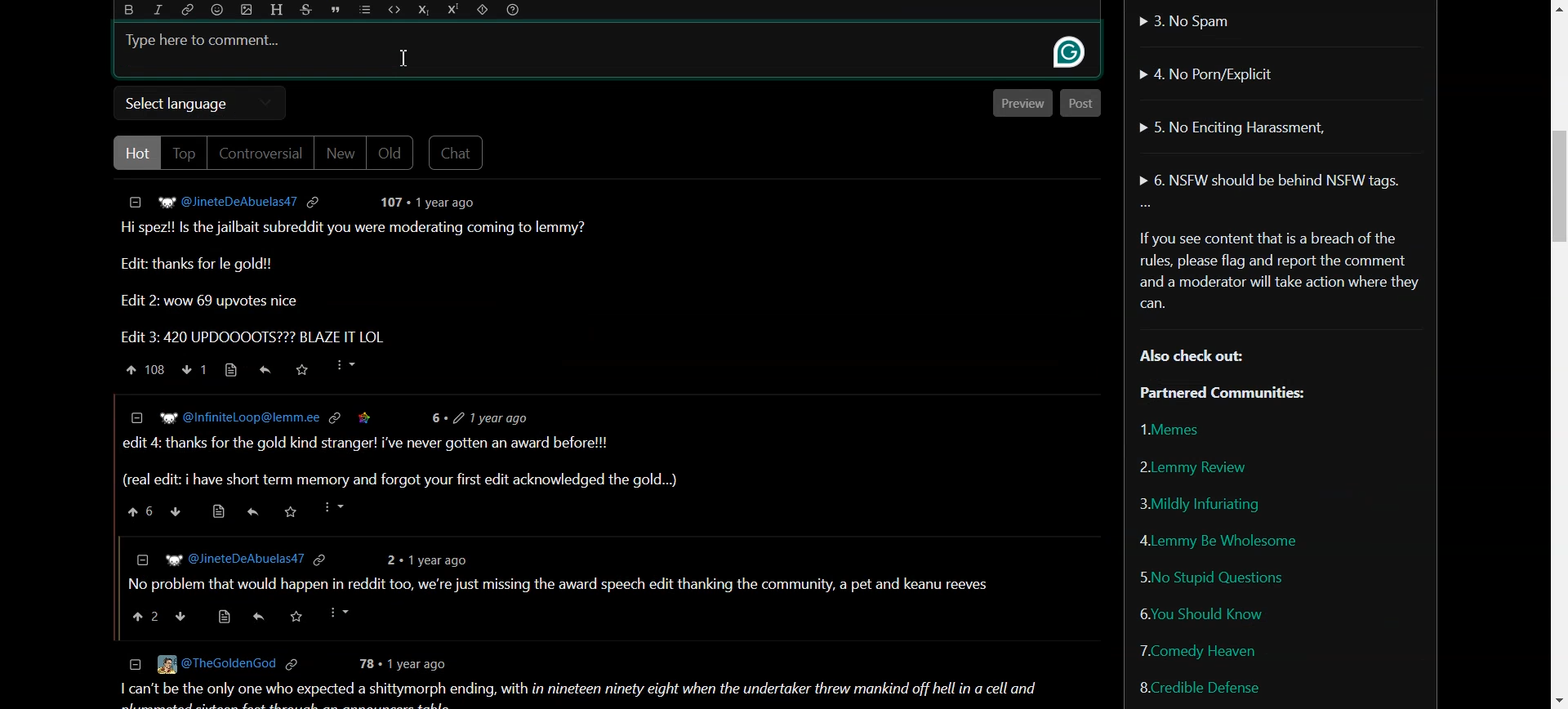 The height and width of the screenshot is (709, 1568). I want to click on List, so click(364, 10).